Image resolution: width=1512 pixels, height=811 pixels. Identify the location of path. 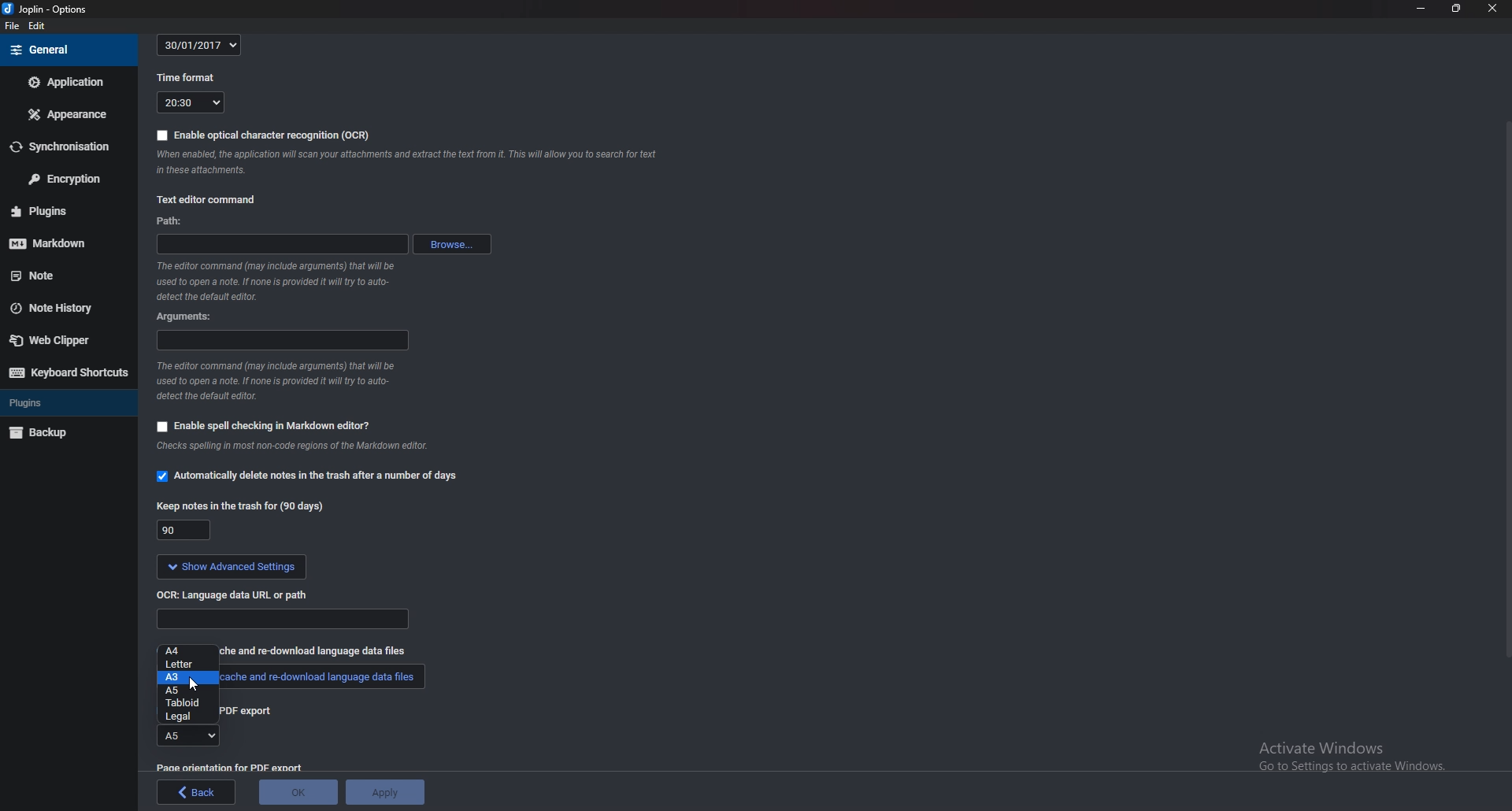
(281, 244).